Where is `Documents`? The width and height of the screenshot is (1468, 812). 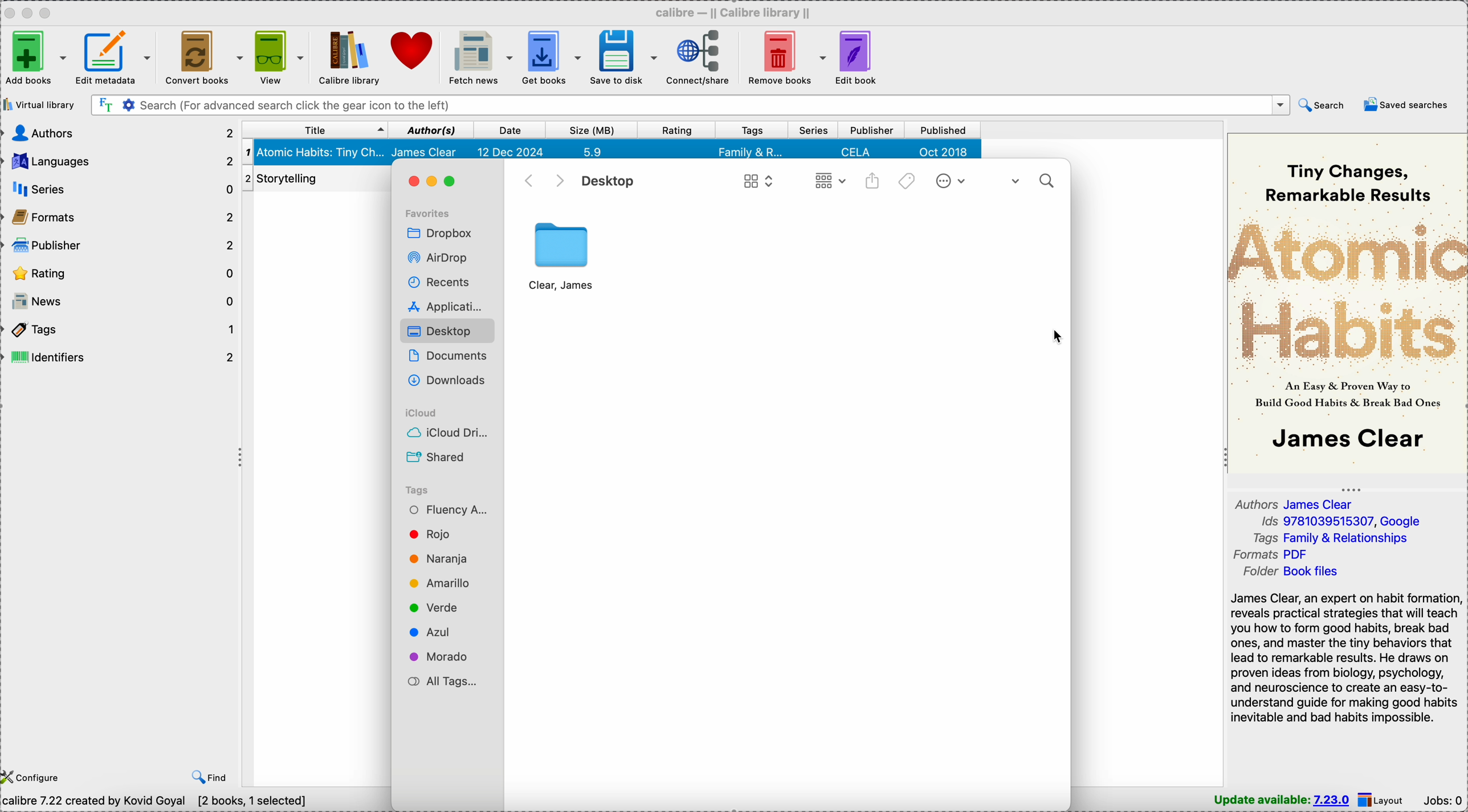 Documents is located at coordinates (448, 354).